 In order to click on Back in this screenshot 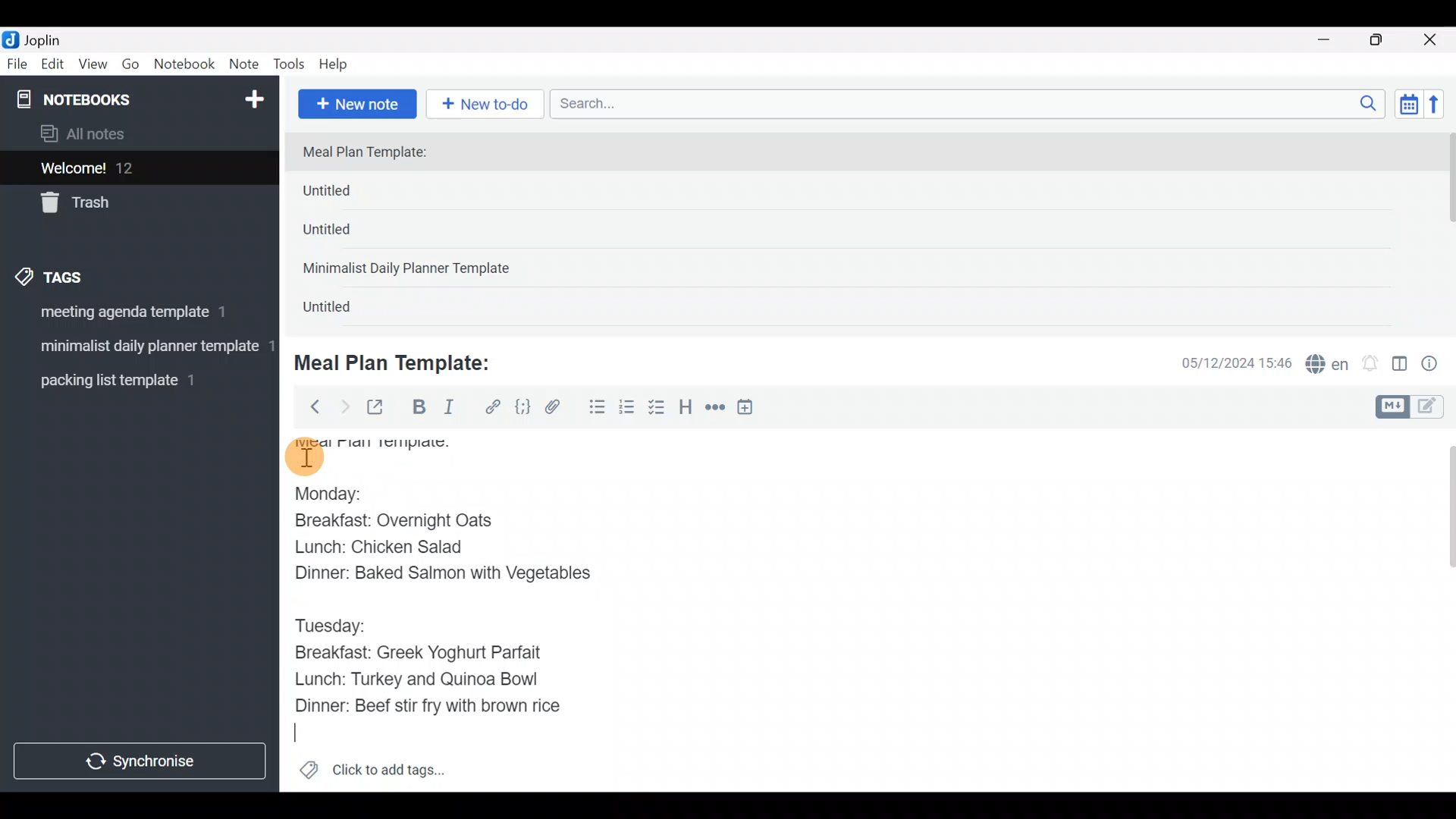, I will do `click(309, 406)`.